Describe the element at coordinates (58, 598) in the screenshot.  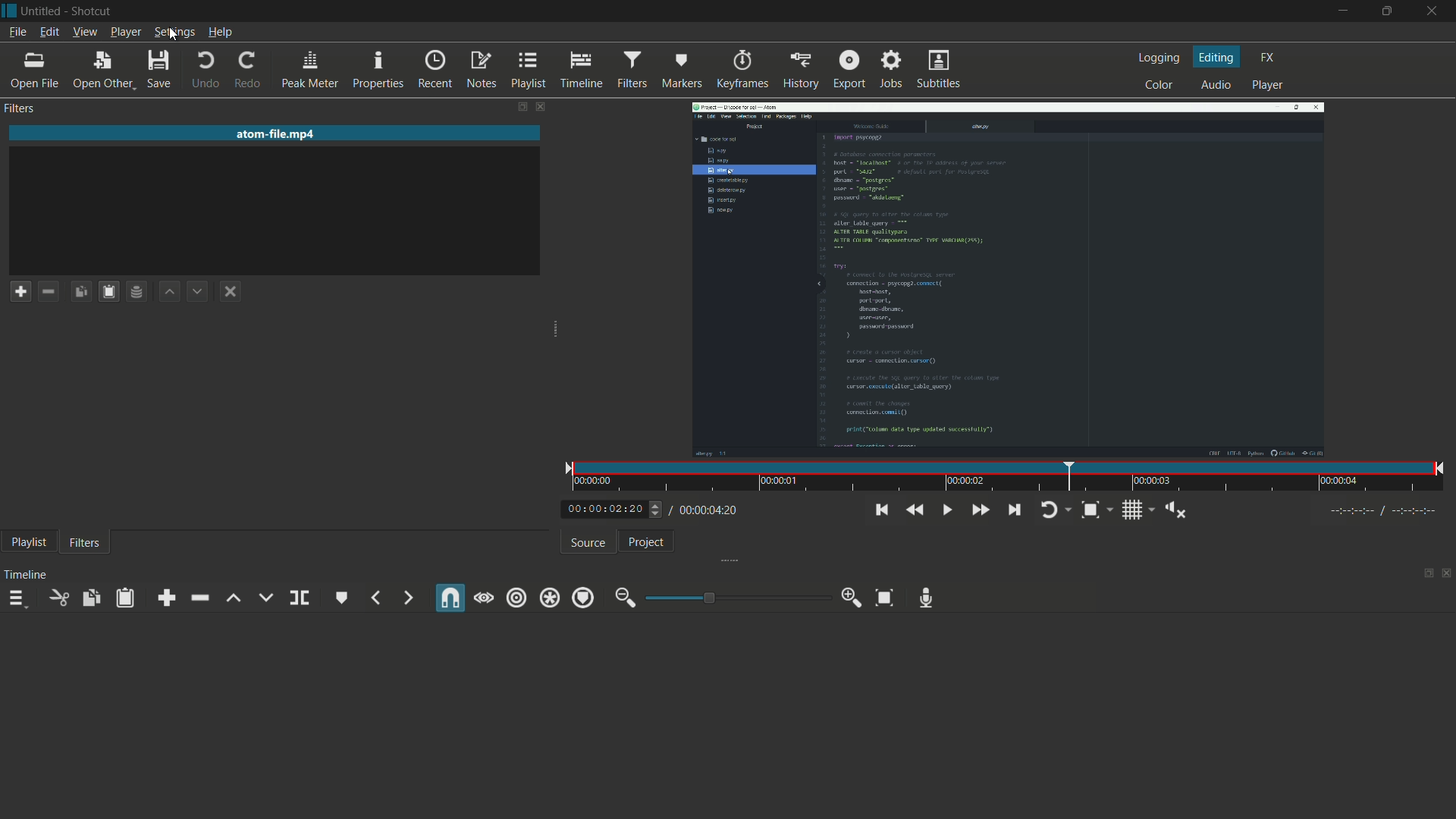
I see `cut` at that location.